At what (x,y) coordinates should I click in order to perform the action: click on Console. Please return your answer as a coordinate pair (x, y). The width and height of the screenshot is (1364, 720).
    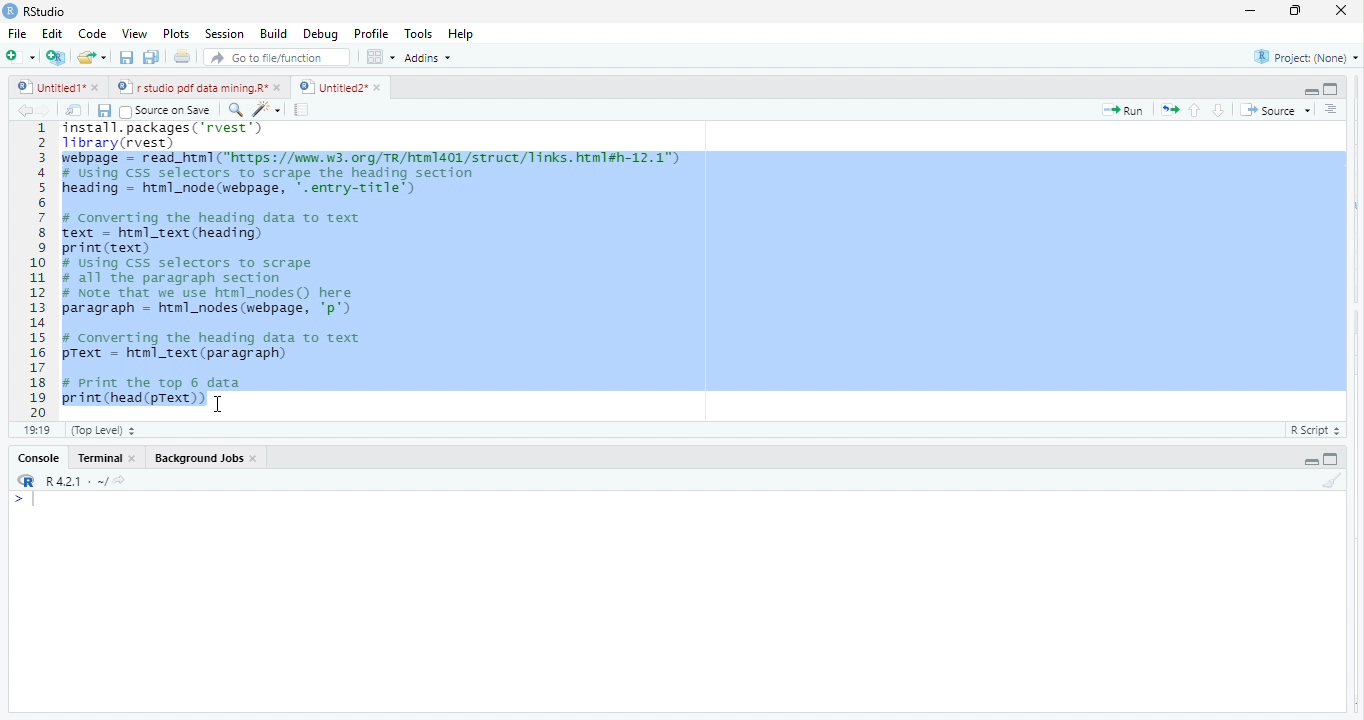
    Looking at the image, I should click on (38, 459).